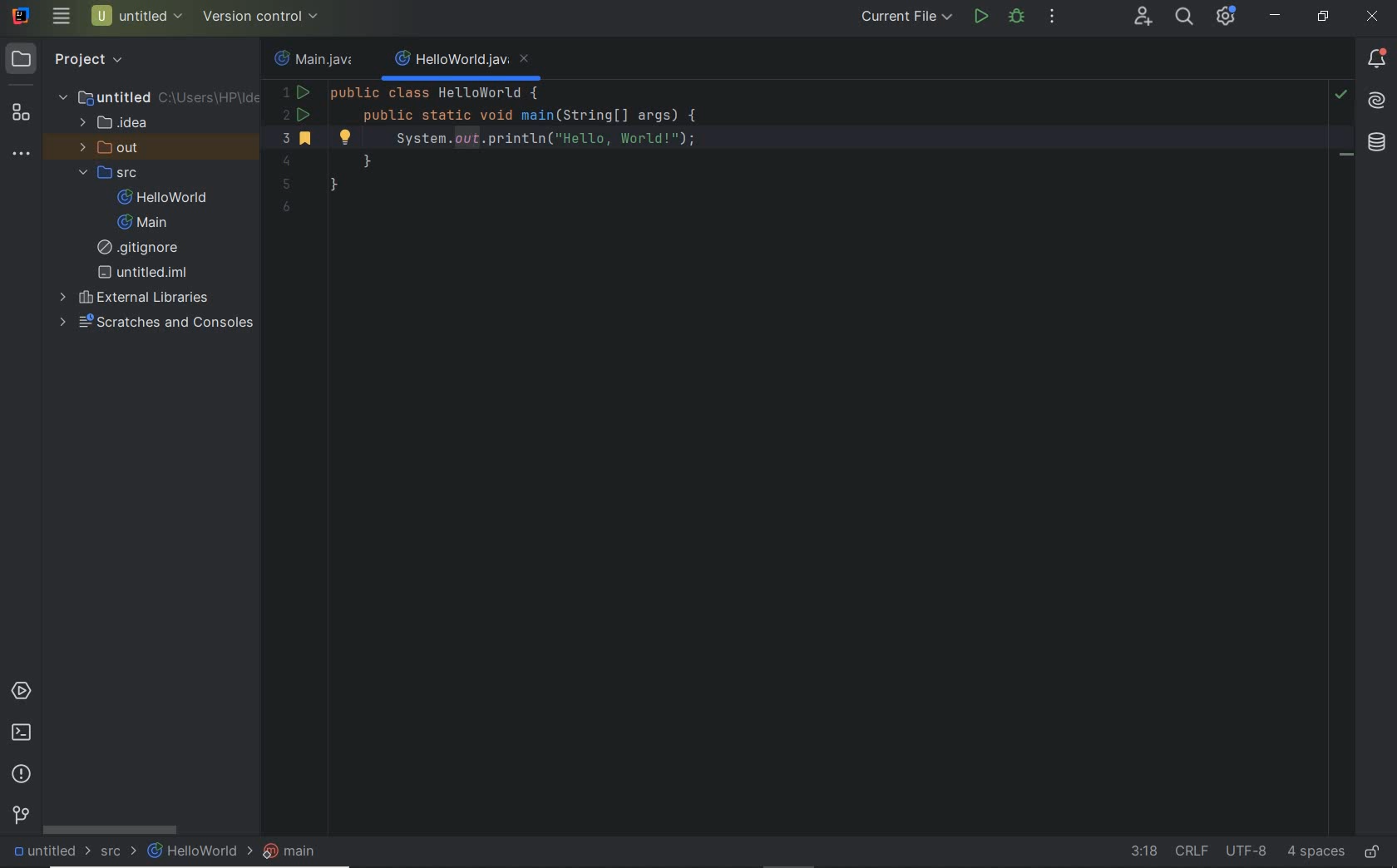 This screenshot has width=1397, height=868. What do you see at coordinates (144, 248) in the screenshot?
I see `.gitignore` at bounding box center [144, 248].